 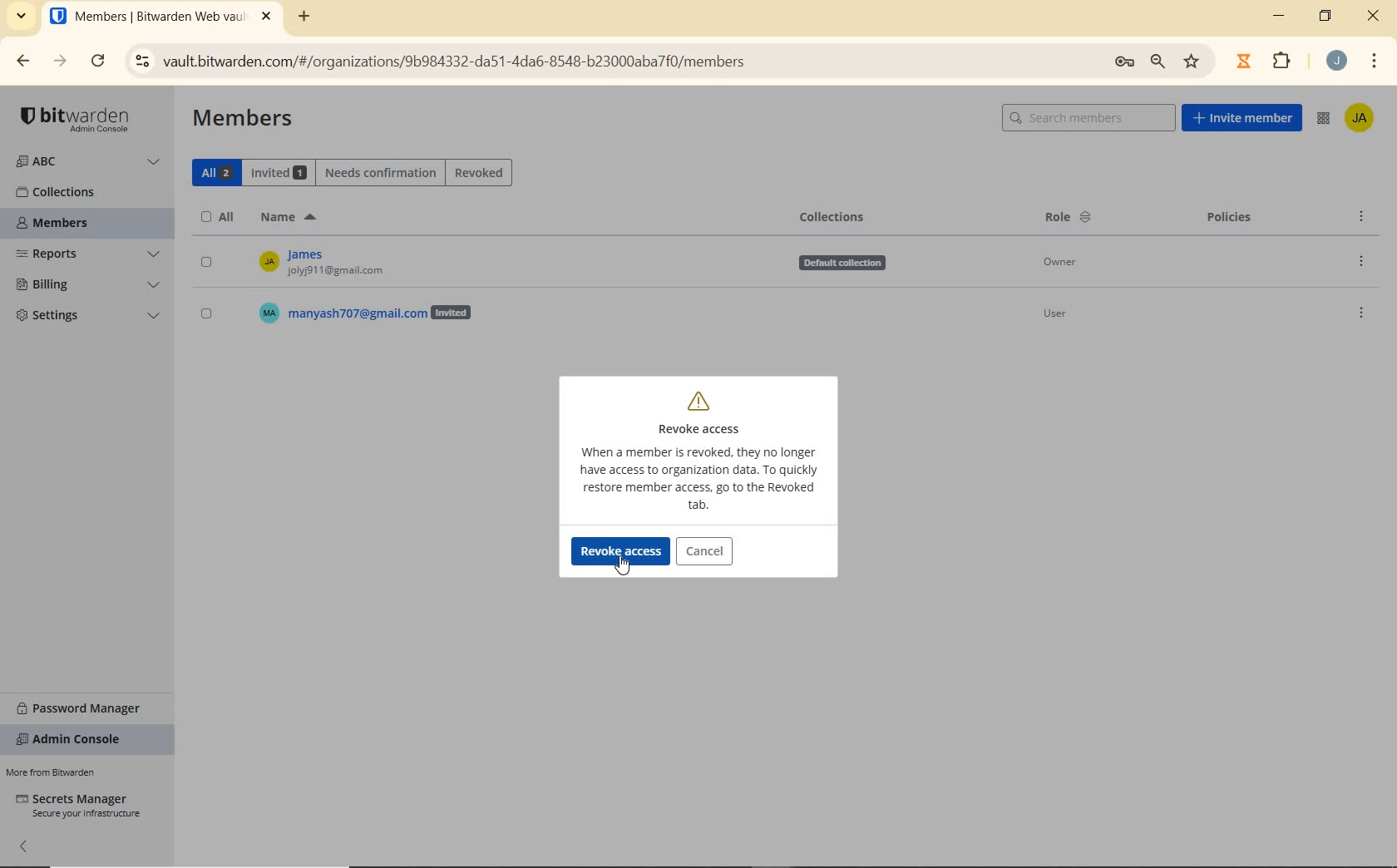 What do you see at coordinates (98, 62) in the screenshot?
I see `RELOAD` at bounding box center [98, 62].